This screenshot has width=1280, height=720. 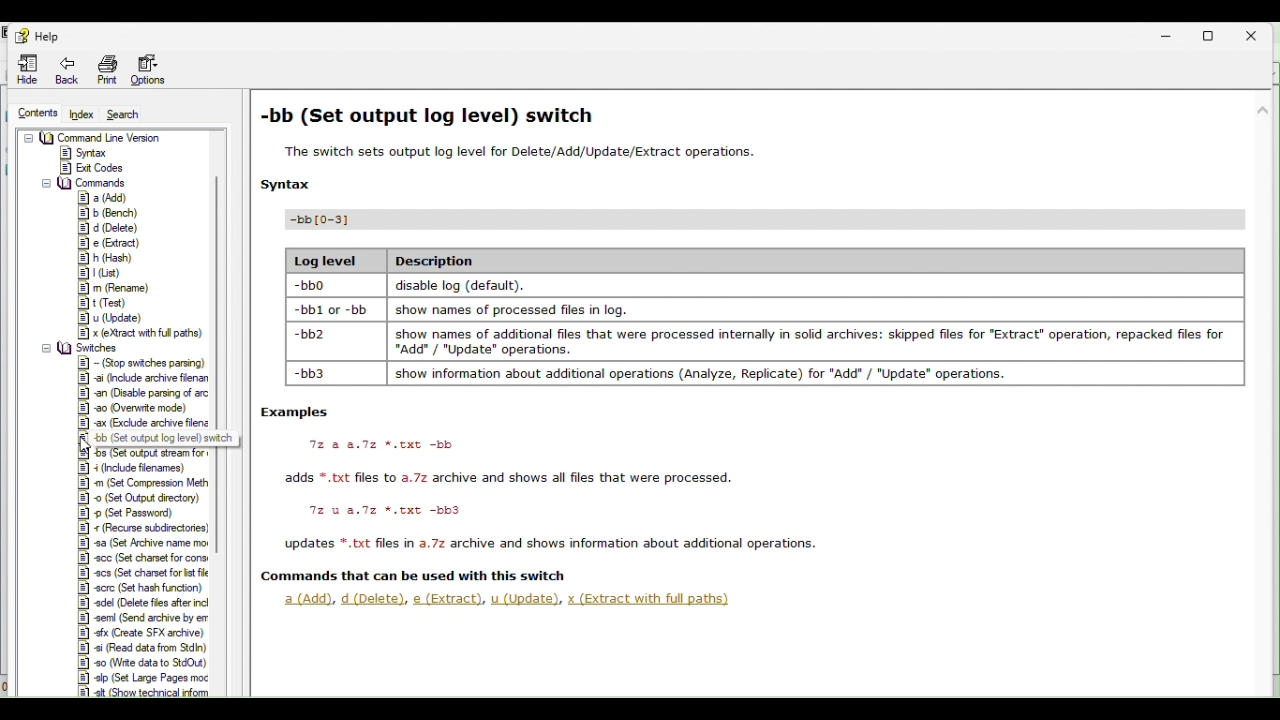 What do you see at coordinates (449, 599) in the screenshot?
I see `e (Extract),` at bounding box center [449, 599].